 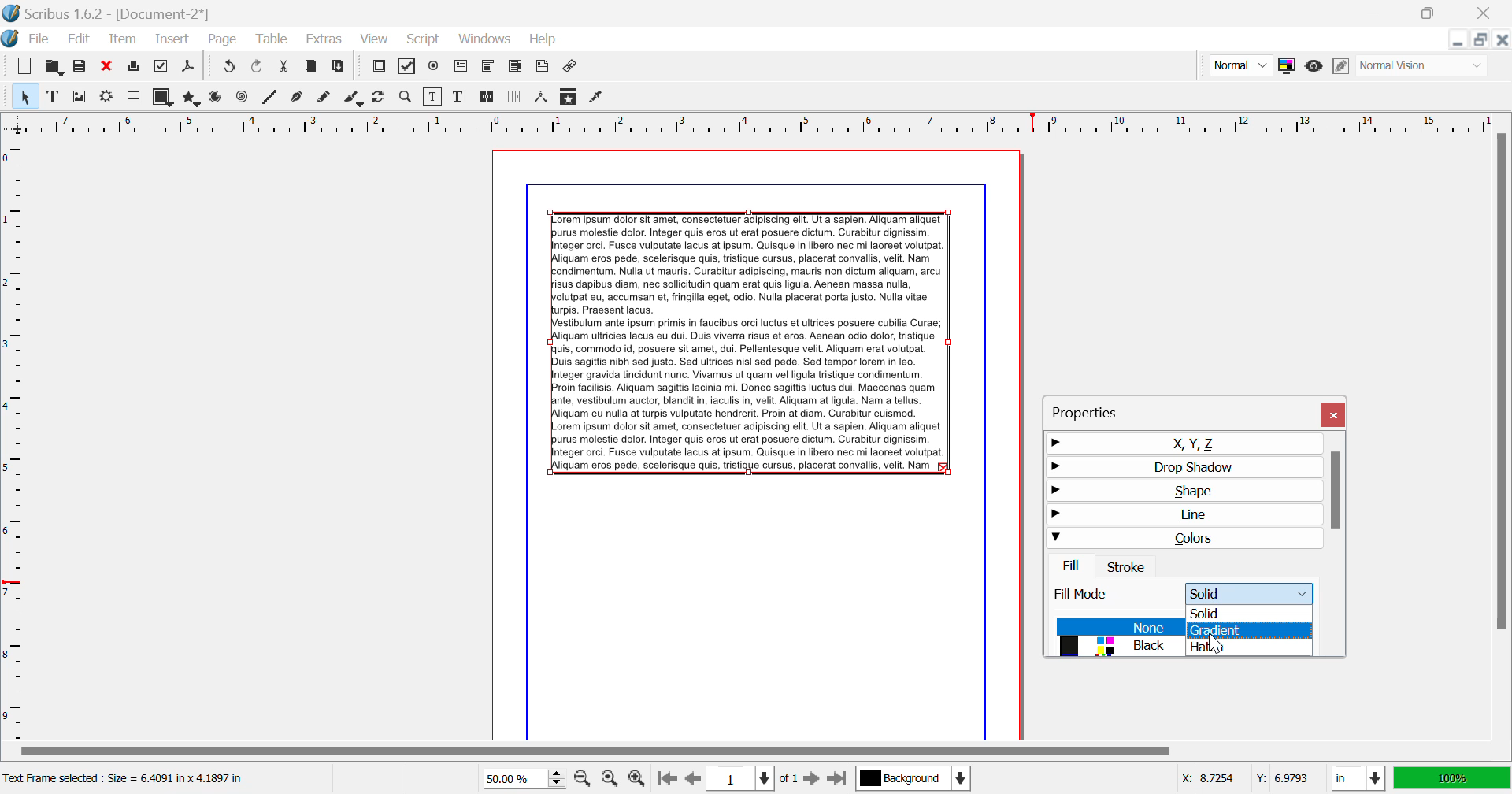 What do you see at coordinates (1252, 592) in the screenshot?
I see `Dropdown Open` at bounding box center [1252, 592].